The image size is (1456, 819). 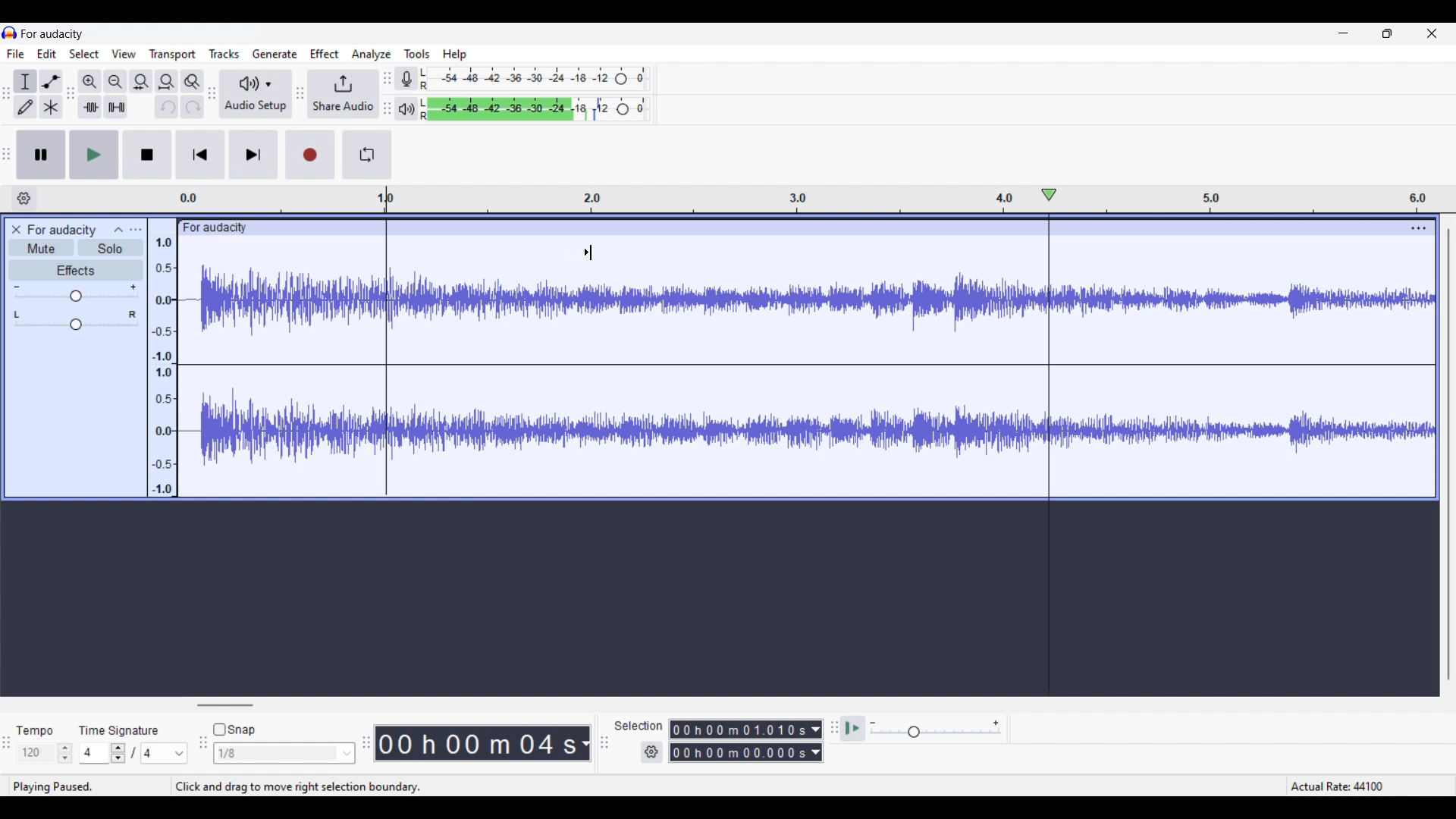 I want to click on Playback speed scale, so click(x=935, y=729).